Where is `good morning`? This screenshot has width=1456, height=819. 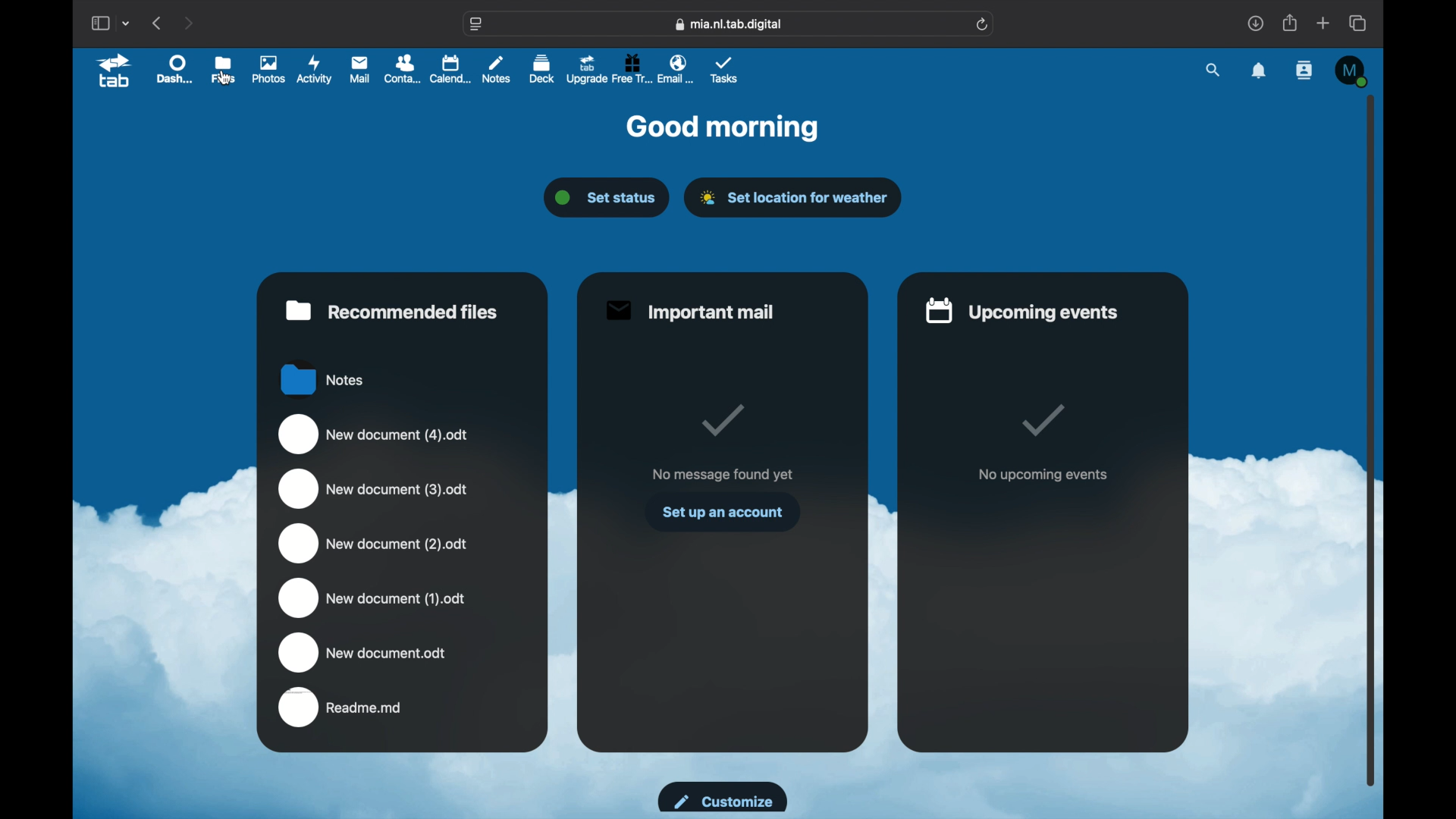
good morning is located at coordinates (724, 127).